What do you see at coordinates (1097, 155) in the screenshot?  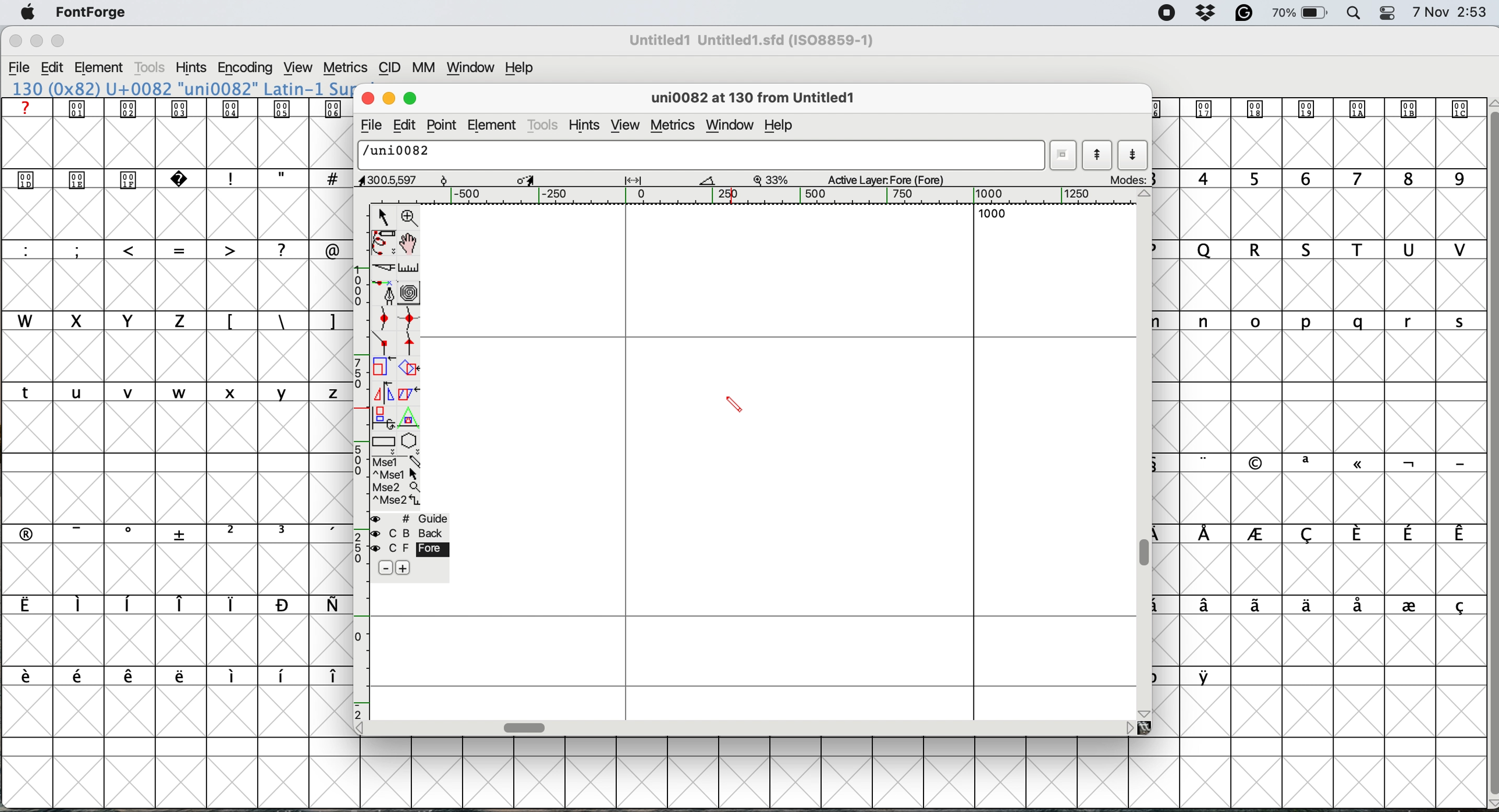 I see `show previous letter` at bounding box center [1097, 155].